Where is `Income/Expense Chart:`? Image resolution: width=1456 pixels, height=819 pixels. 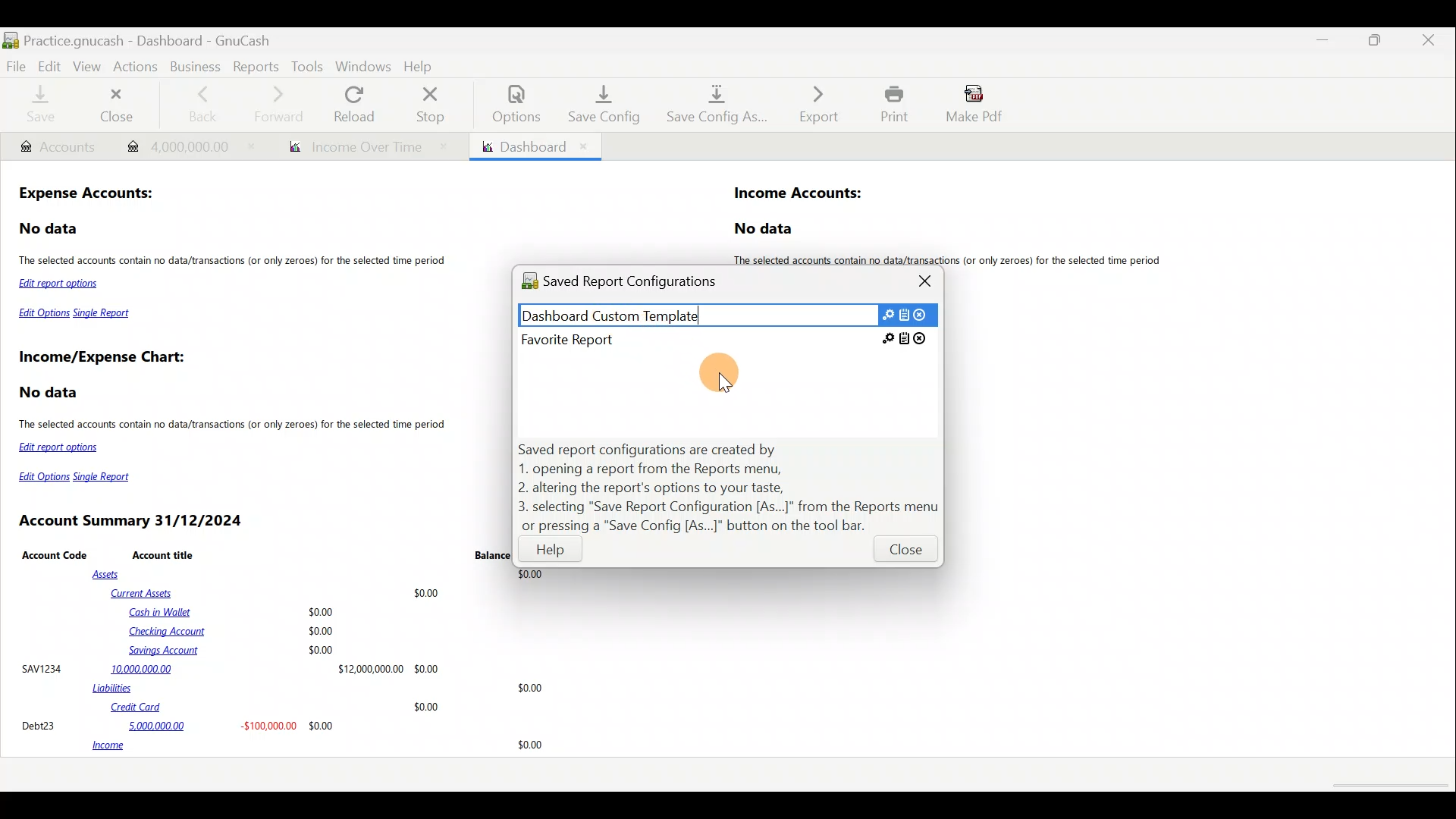
Income/Expense Chart: is located at coordinates (102, 359).